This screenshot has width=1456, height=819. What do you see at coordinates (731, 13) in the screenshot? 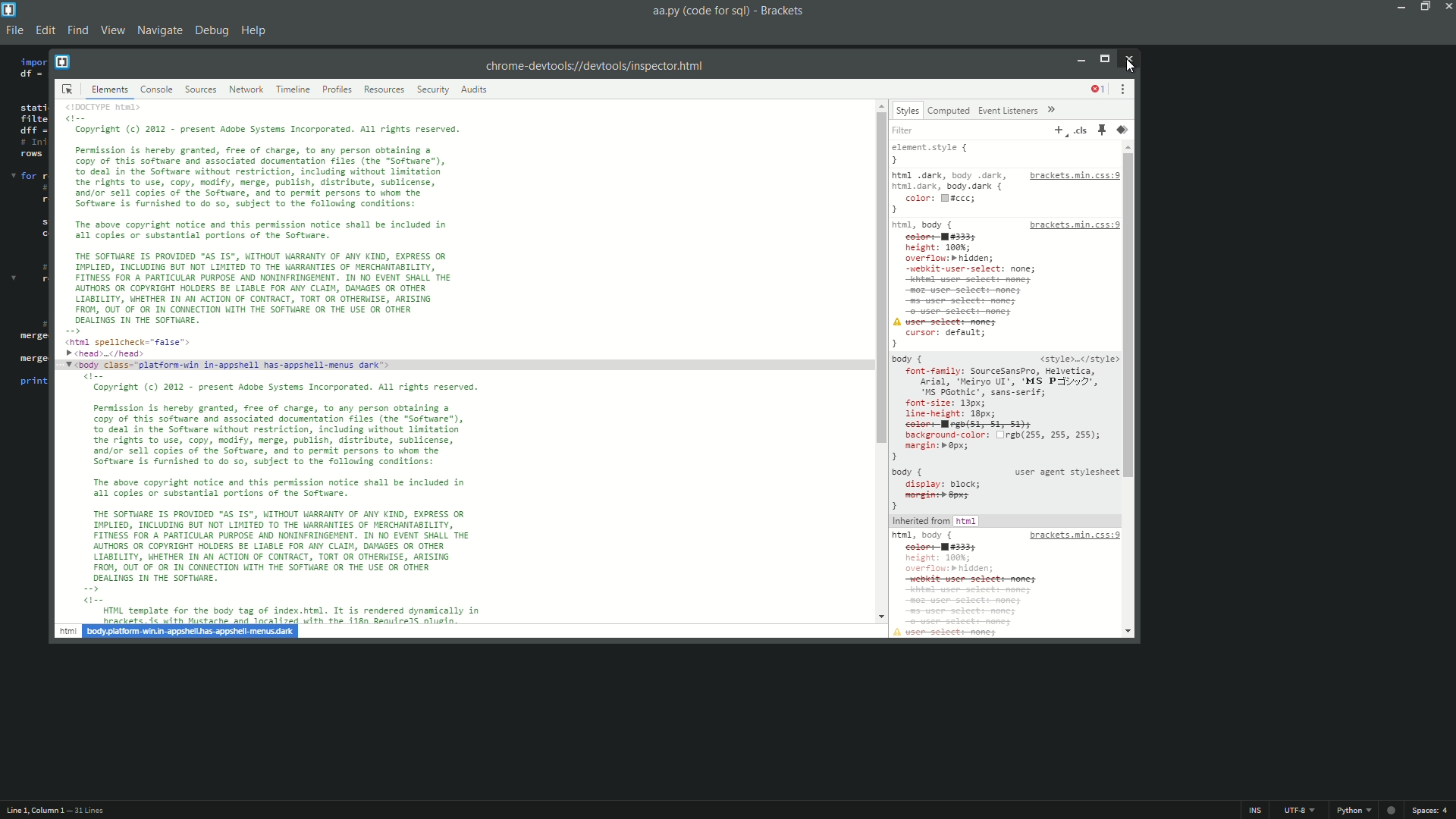
I see `aa.py (code for sql) - Brackets` at bounding box center [731, 13].